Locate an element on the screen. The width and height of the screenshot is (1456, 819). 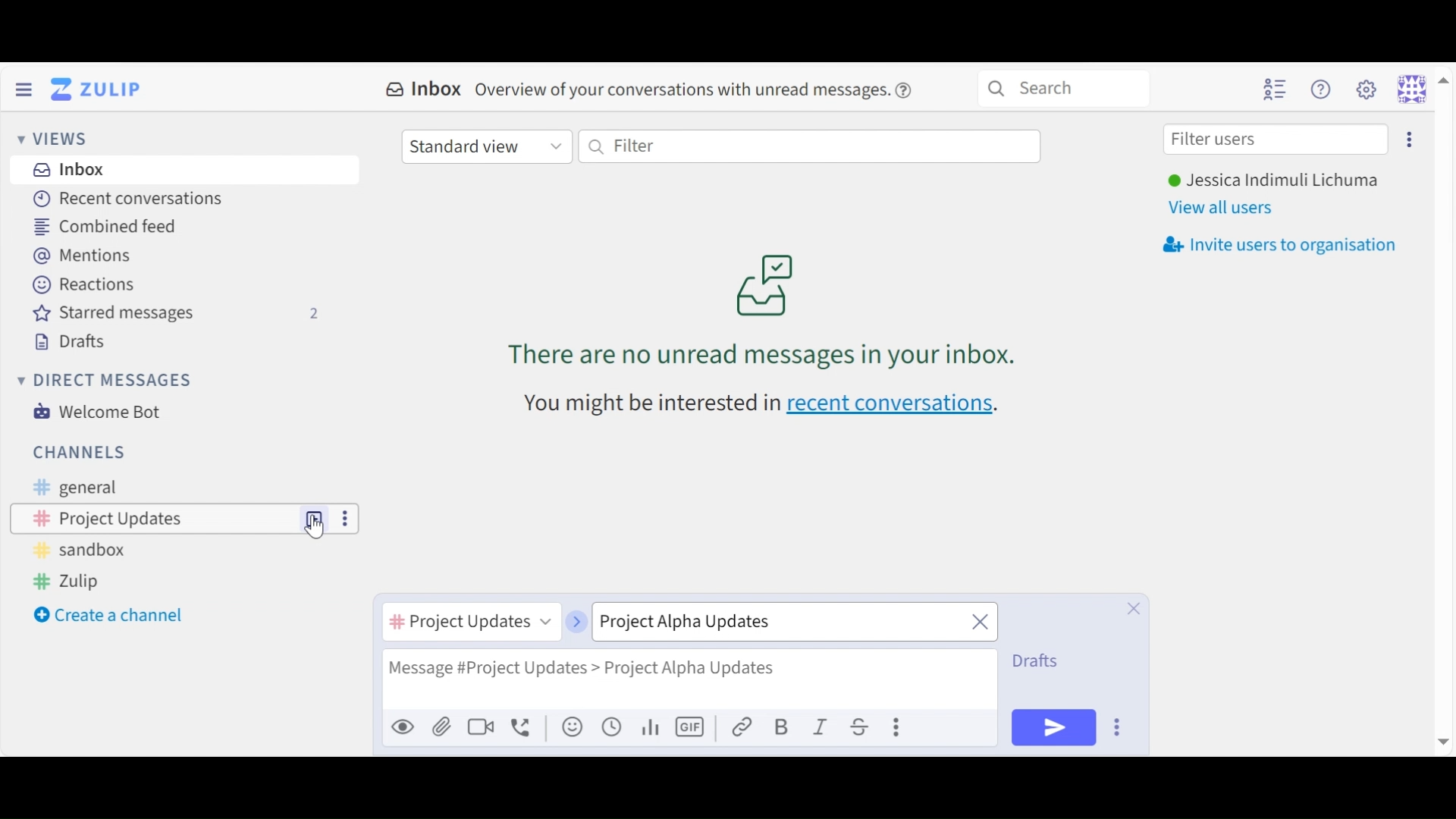
help is located at coordinates (908, 90).